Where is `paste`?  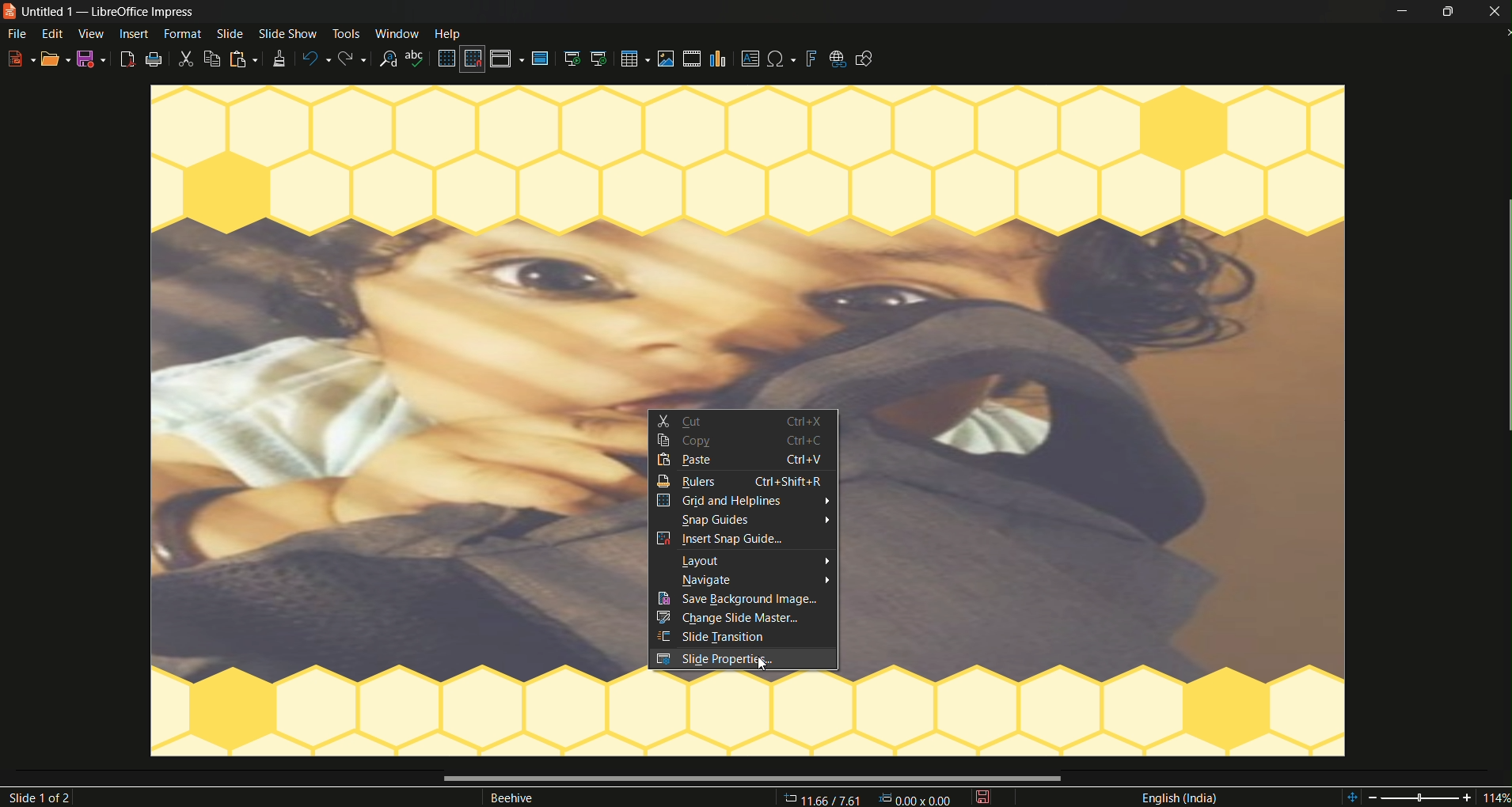 paste is located at coordinates (686, 460).